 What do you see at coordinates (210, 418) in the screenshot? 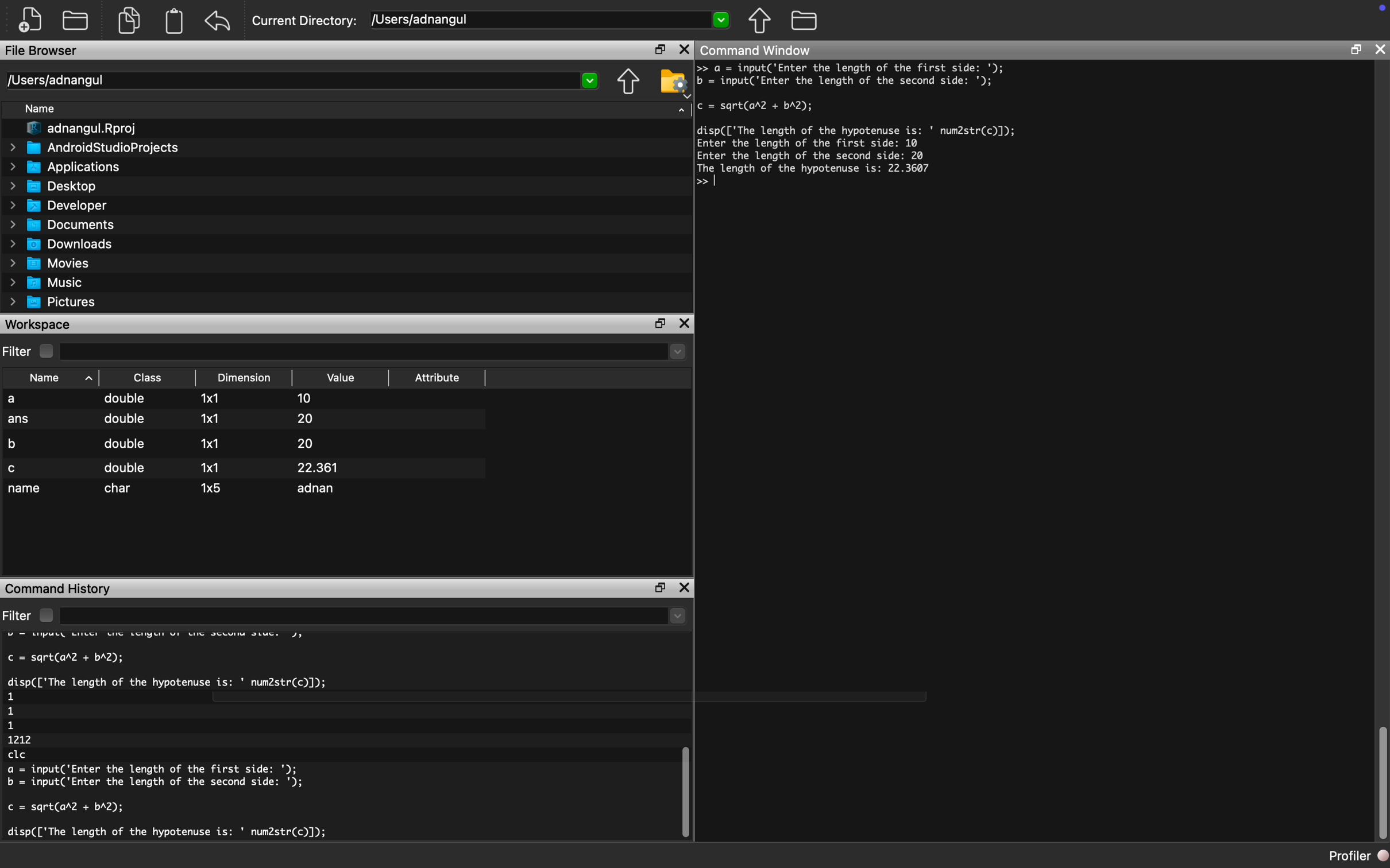
I see `1x1` at bounding box center [210, 418].